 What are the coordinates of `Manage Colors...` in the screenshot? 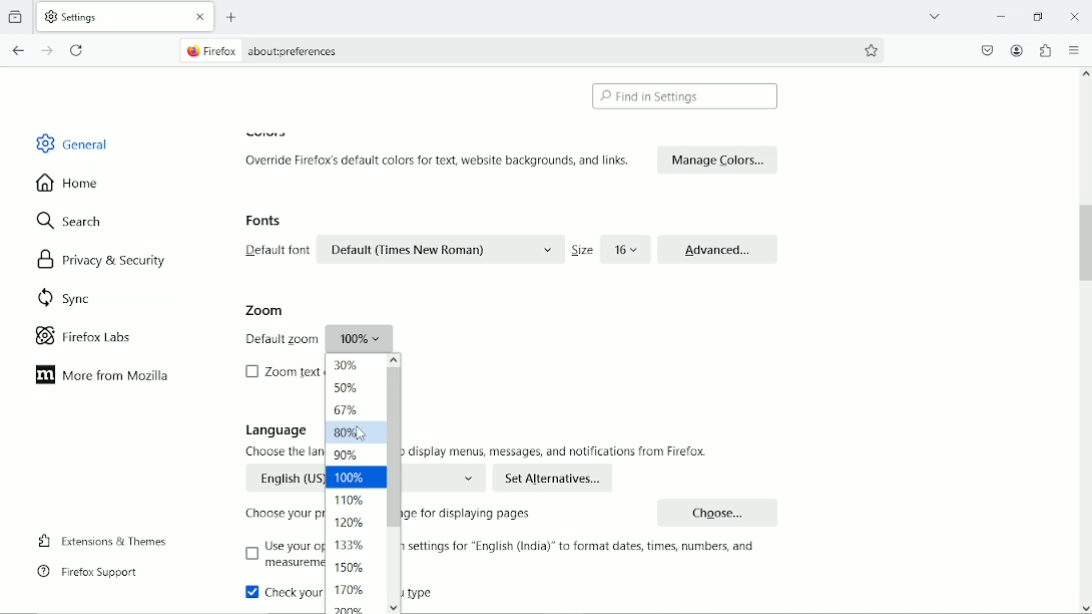 It's located at (718, 159).